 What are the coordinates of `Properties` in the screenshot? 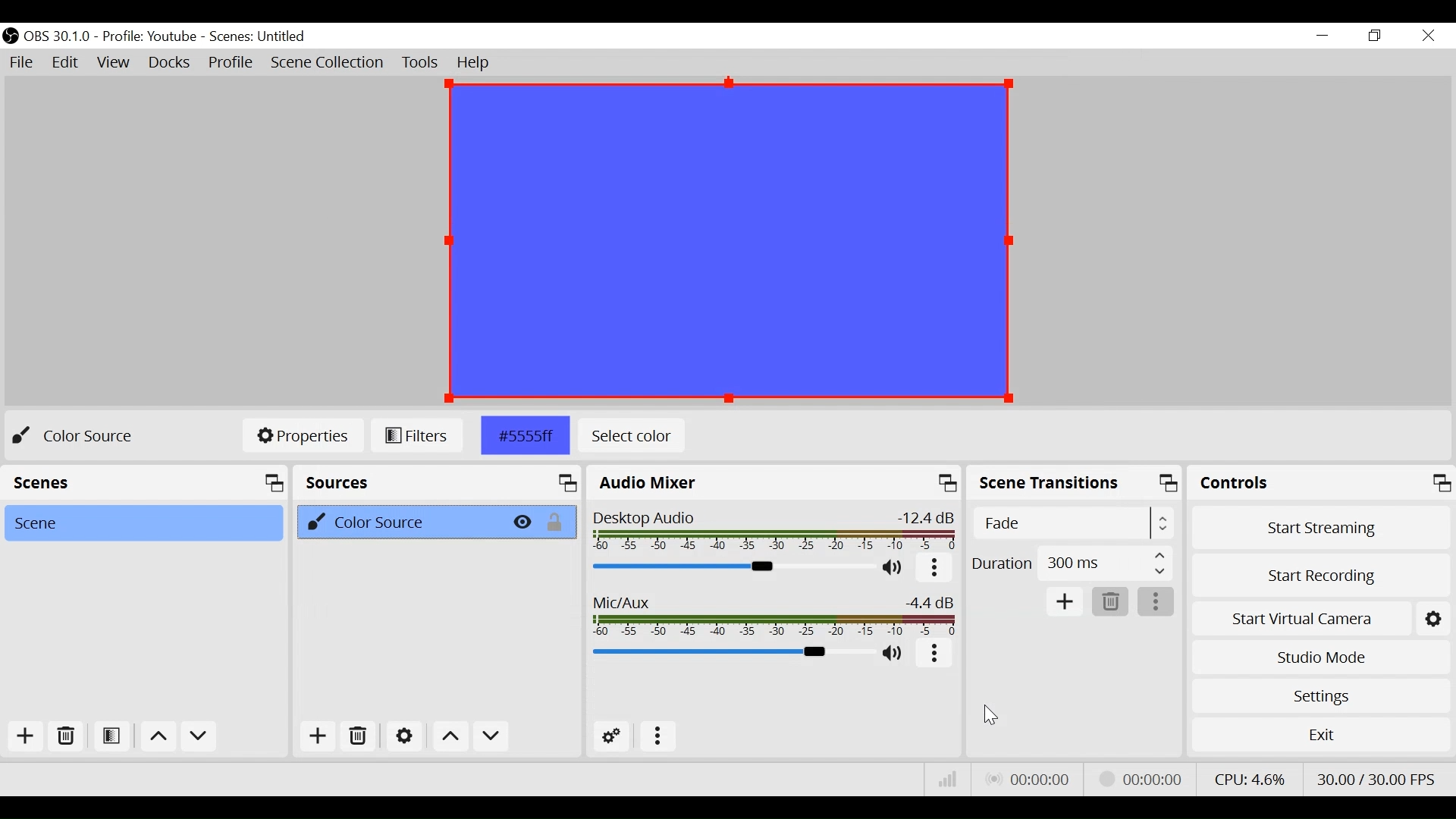 It's located at (302, 435).